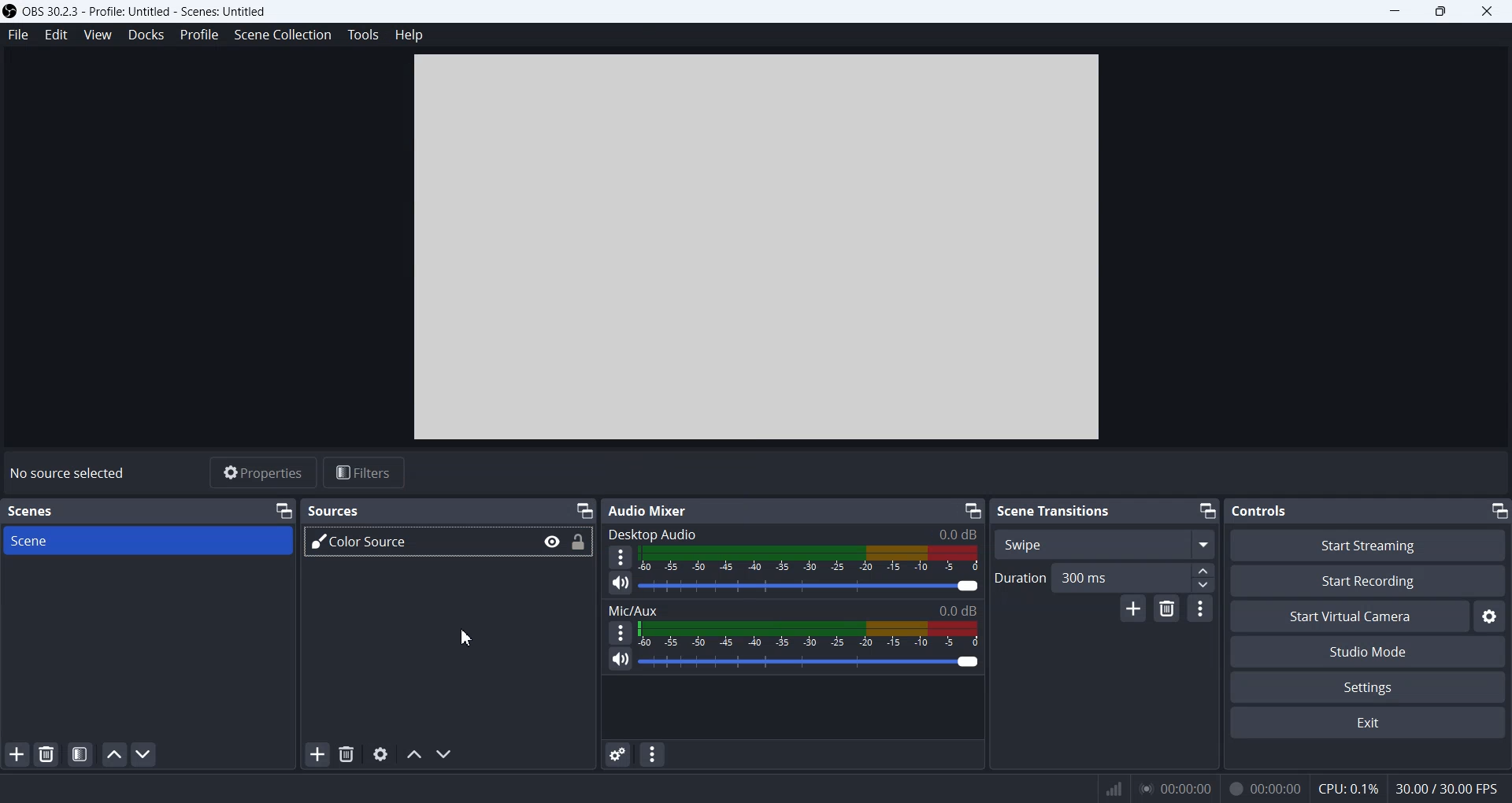  What do you see at coordinates (1349, 616) in the screenshot?
I see `Start Virtual Camera` at bounding box center [1349, 616].